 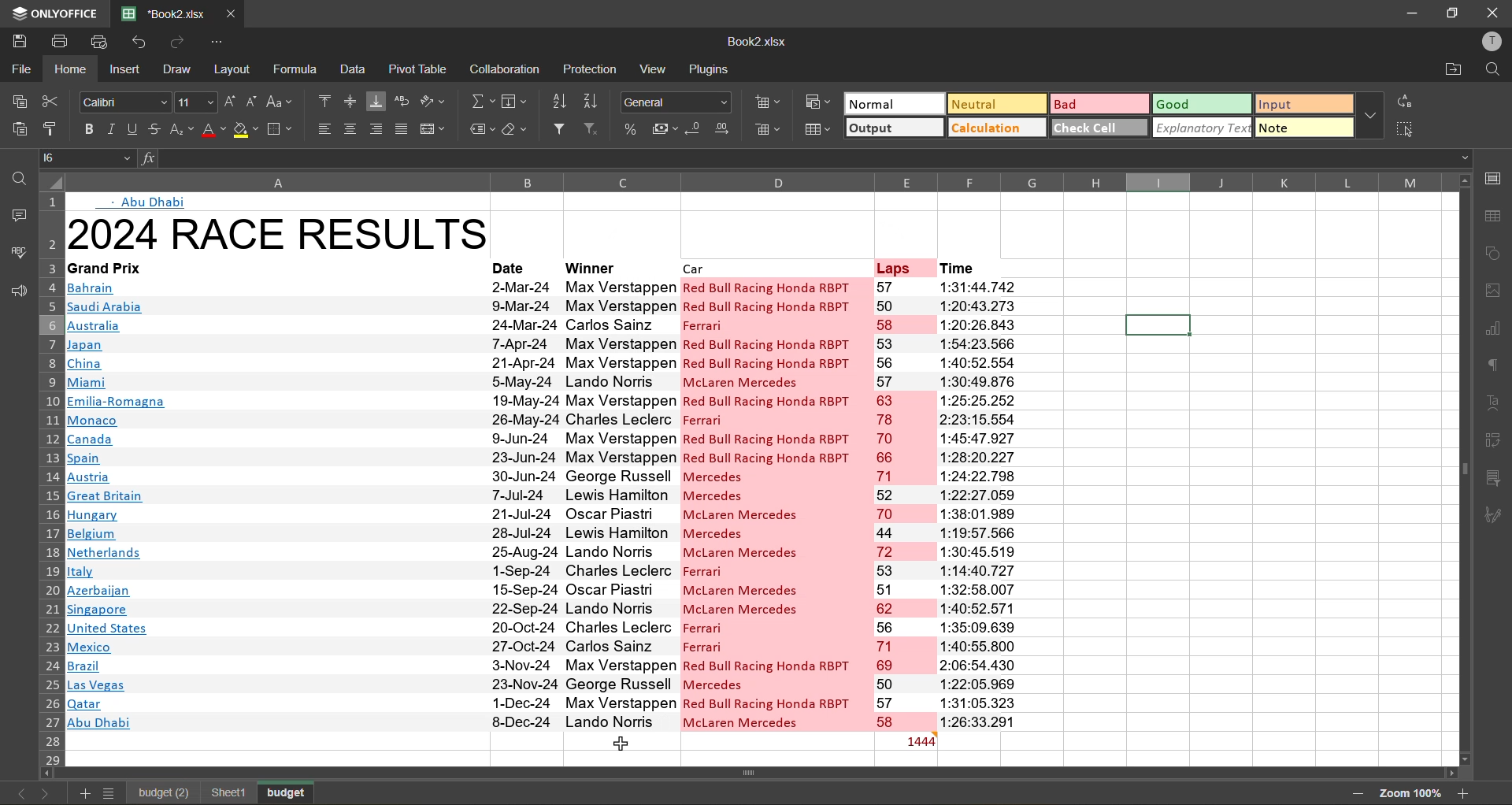 What do you see at coordinates (727, 129) in the screenshot?
I see `increase decimal` at bounding box center [727, 129].